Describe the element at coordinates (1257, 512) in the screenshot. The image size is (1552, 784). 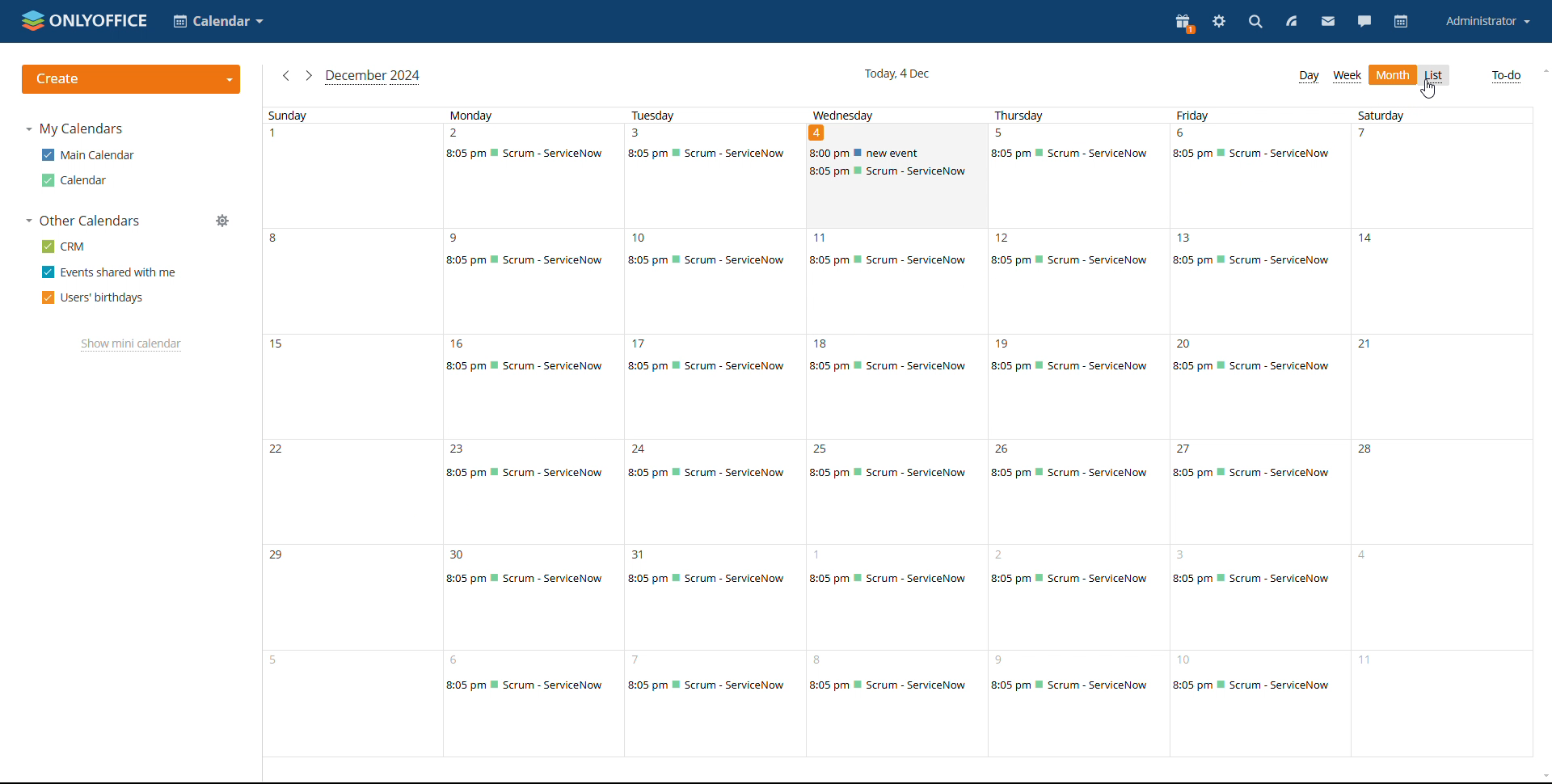
I see `friday` at that location.